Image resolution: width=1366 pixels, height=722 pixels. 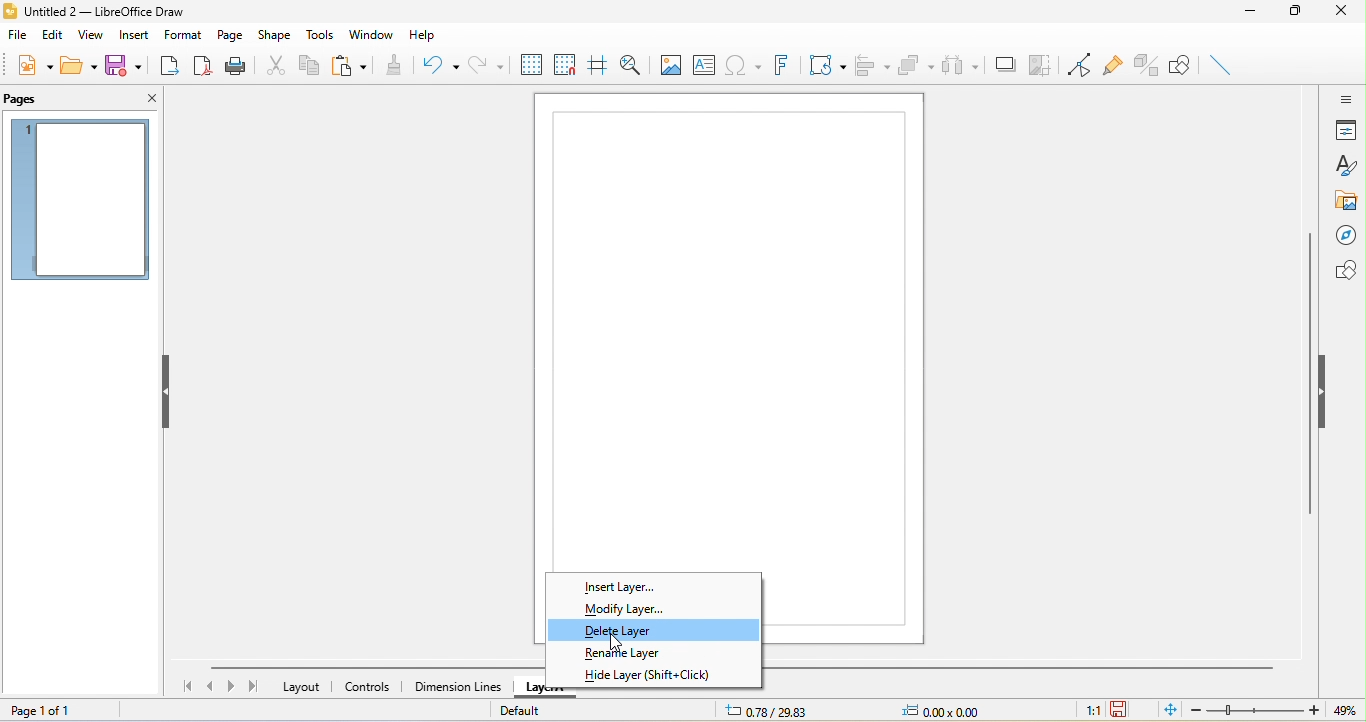 I want to click on modify layer, so click(x=654, y=607).